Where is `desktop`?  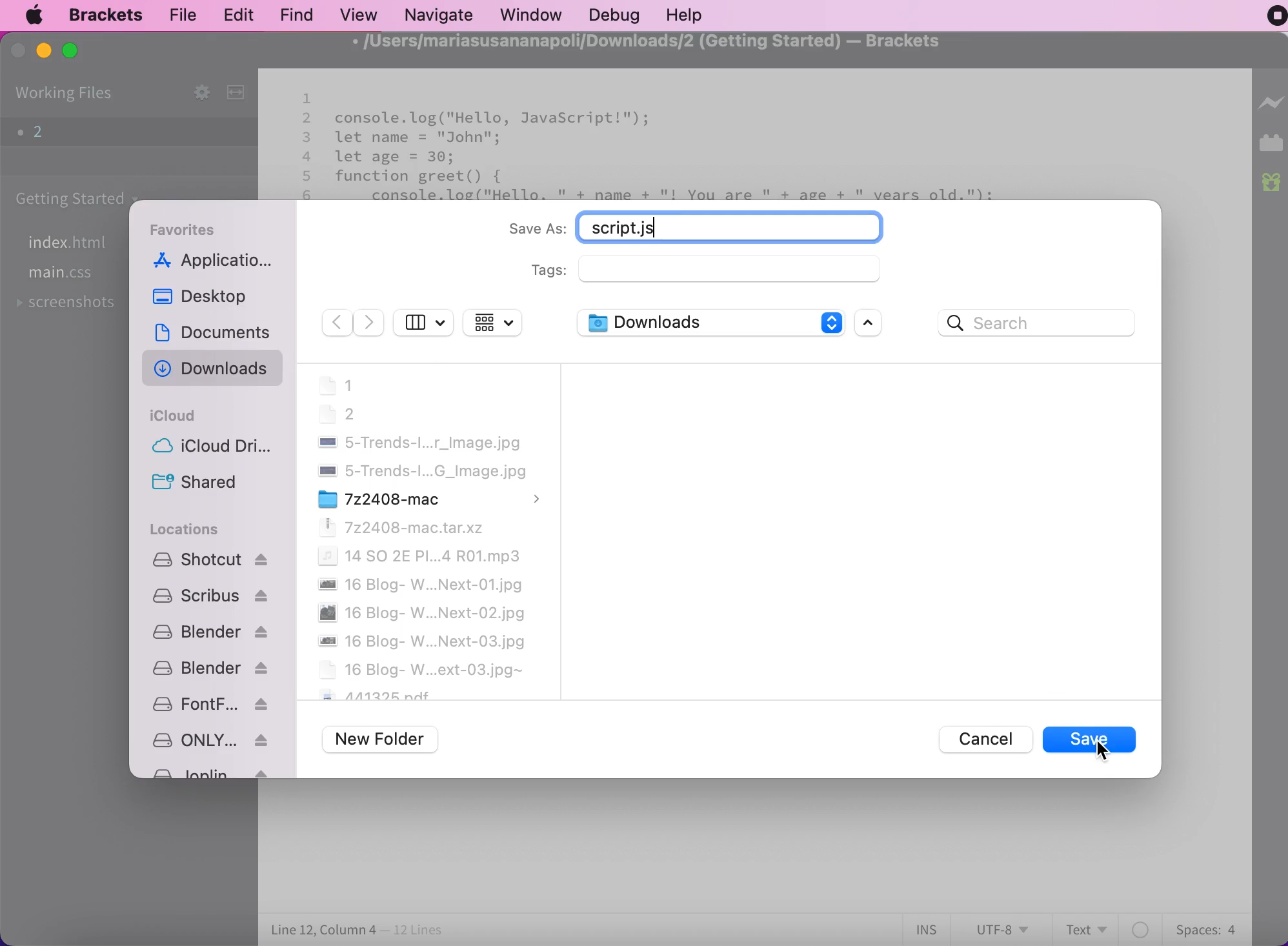
desktop is located at coordinates (201, 296).